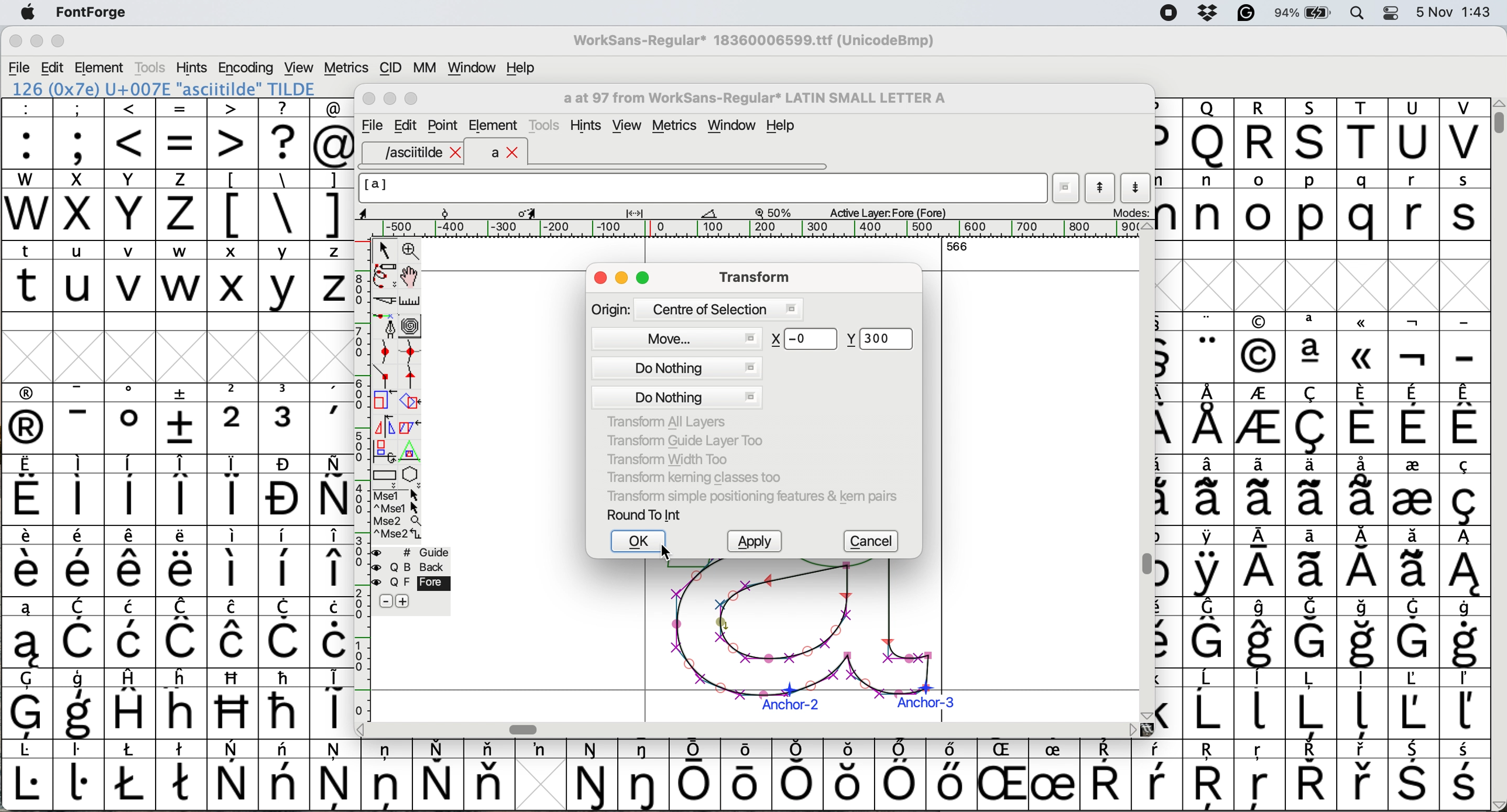 This screenshot has height=812, width=1507. What do you see at coordinates (233, 418) in the screenshot?
I see `2` at bounding box center [233, 418].